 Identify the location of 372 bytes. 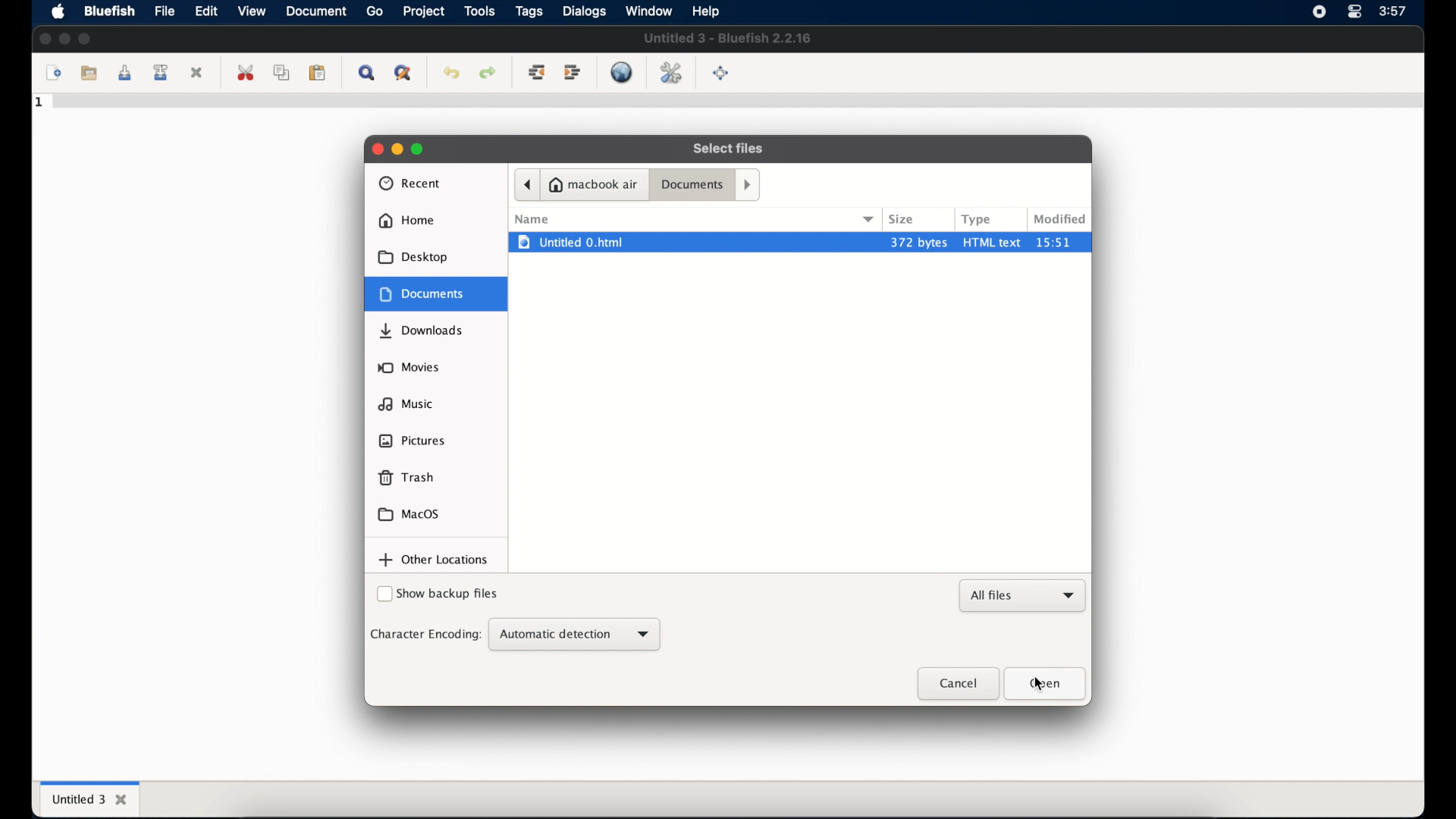
(918, 241).